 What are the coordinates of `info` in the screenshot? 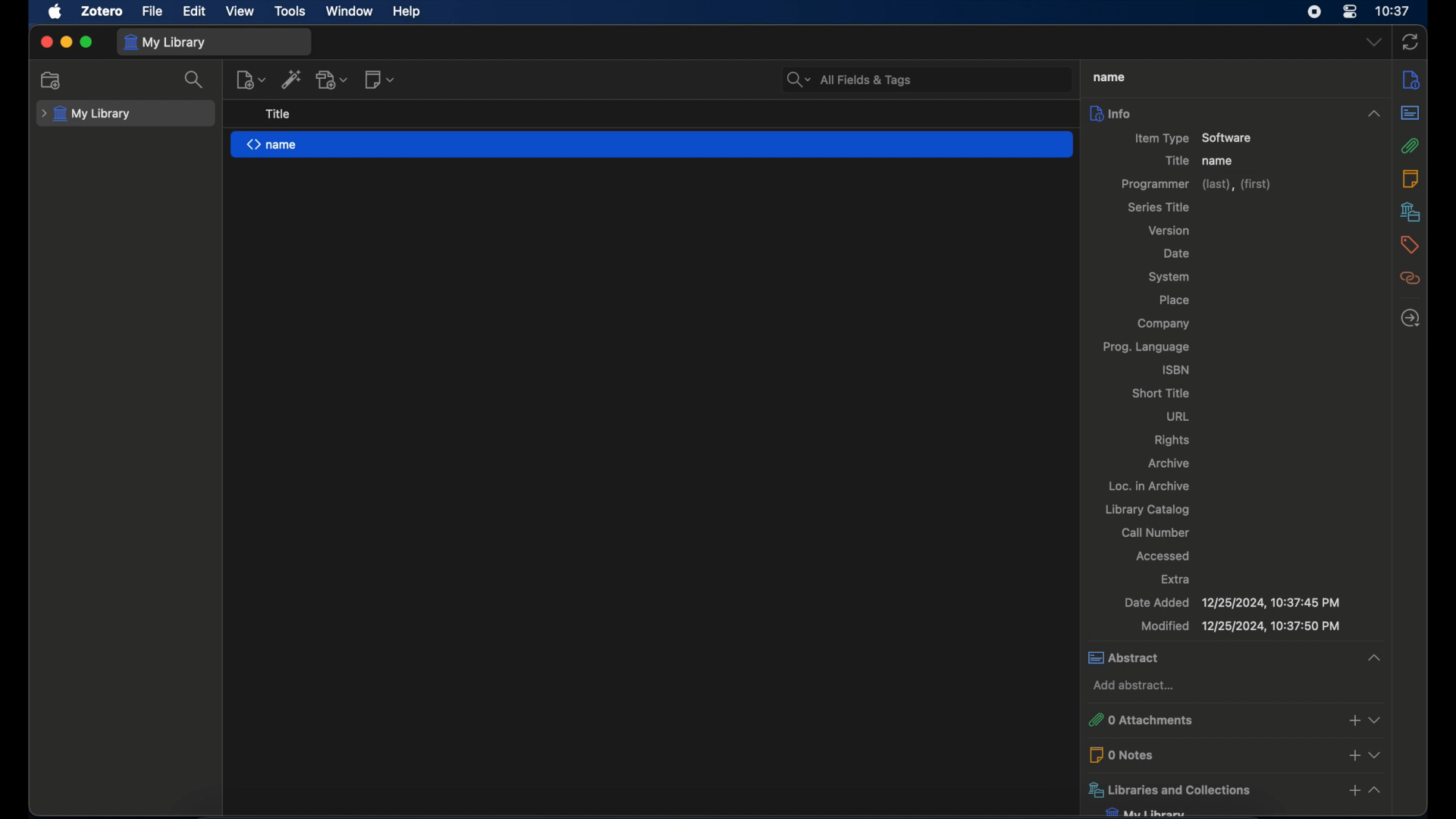 It's located at (1216, 112).